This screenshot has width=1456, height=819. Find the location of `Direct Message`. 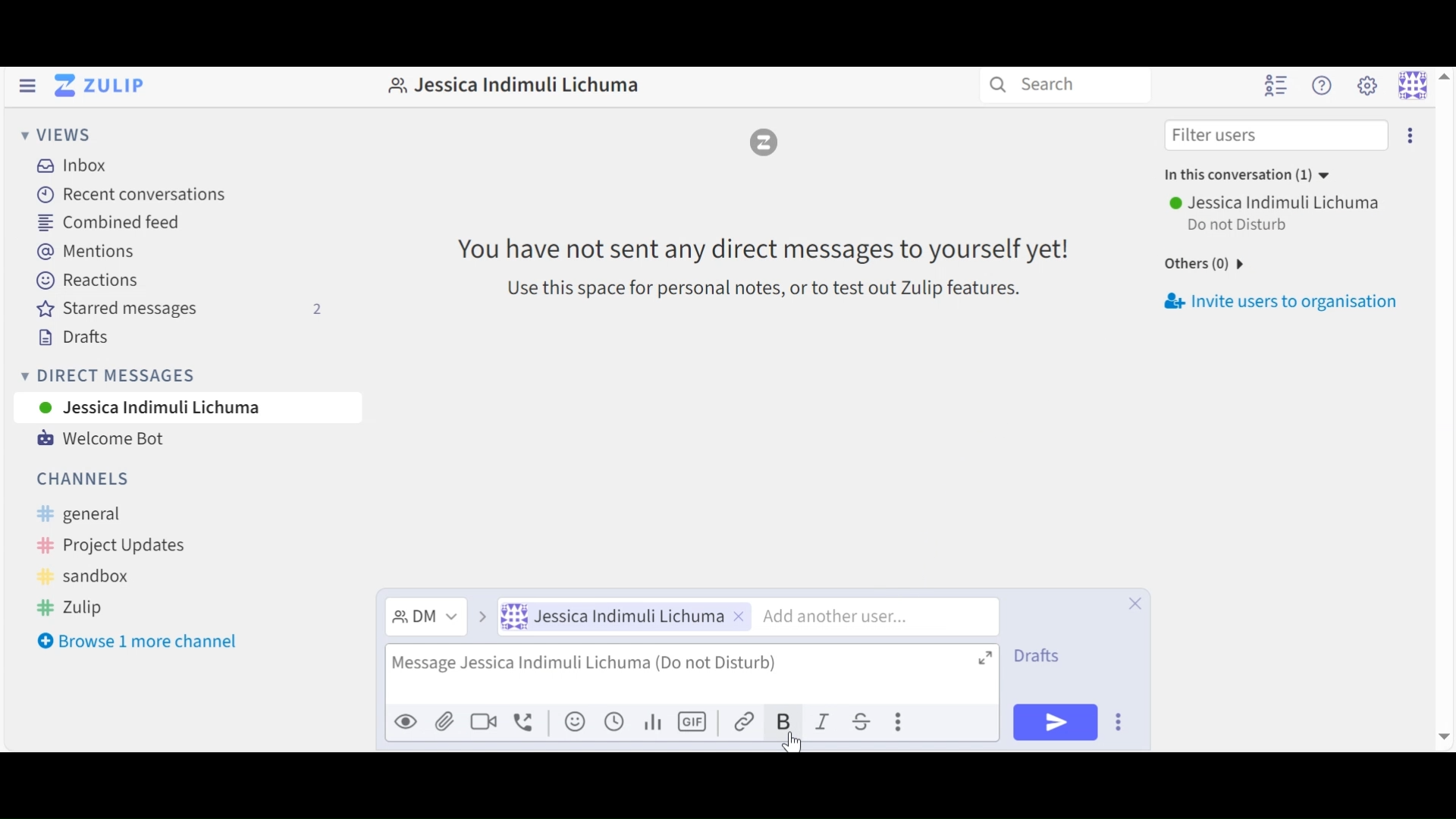

Direct Message is located at coordinates (438, 617).